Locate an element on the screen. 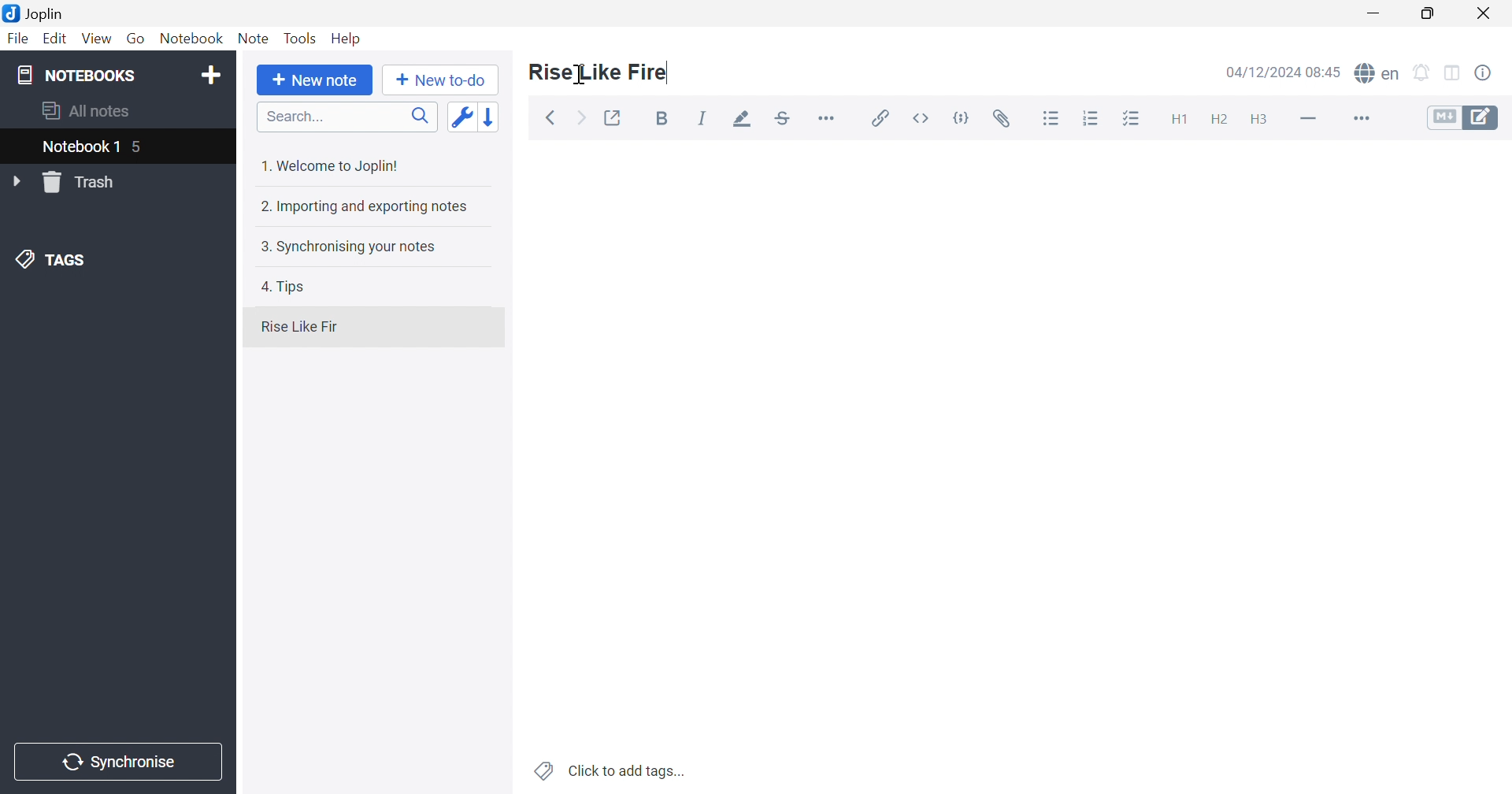 This screenshot has width=1512, height=794. View is located at coordinates (97, 39).